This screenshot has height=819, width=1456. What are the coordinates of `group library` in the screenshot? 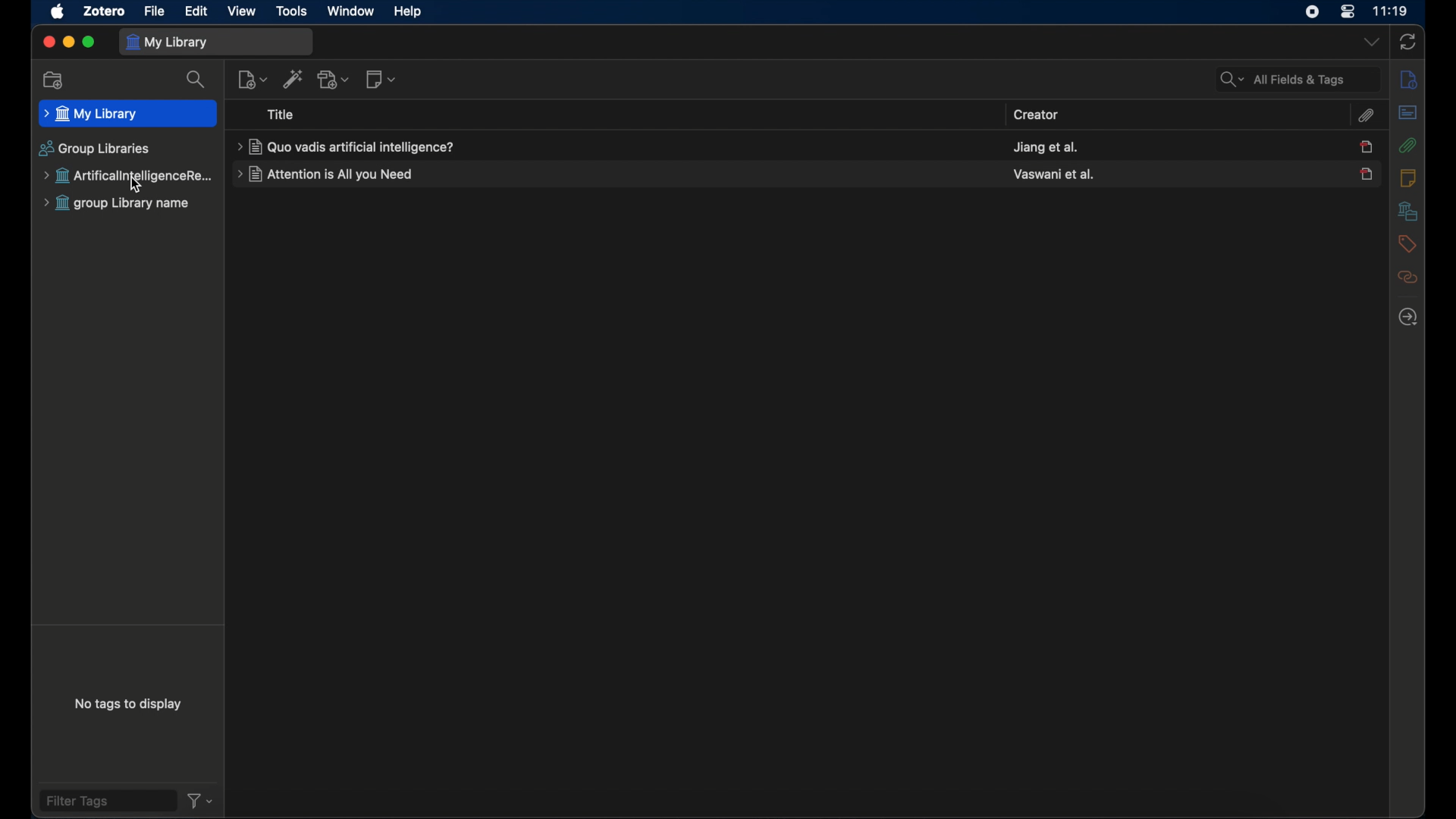 It's located at (128, 176).